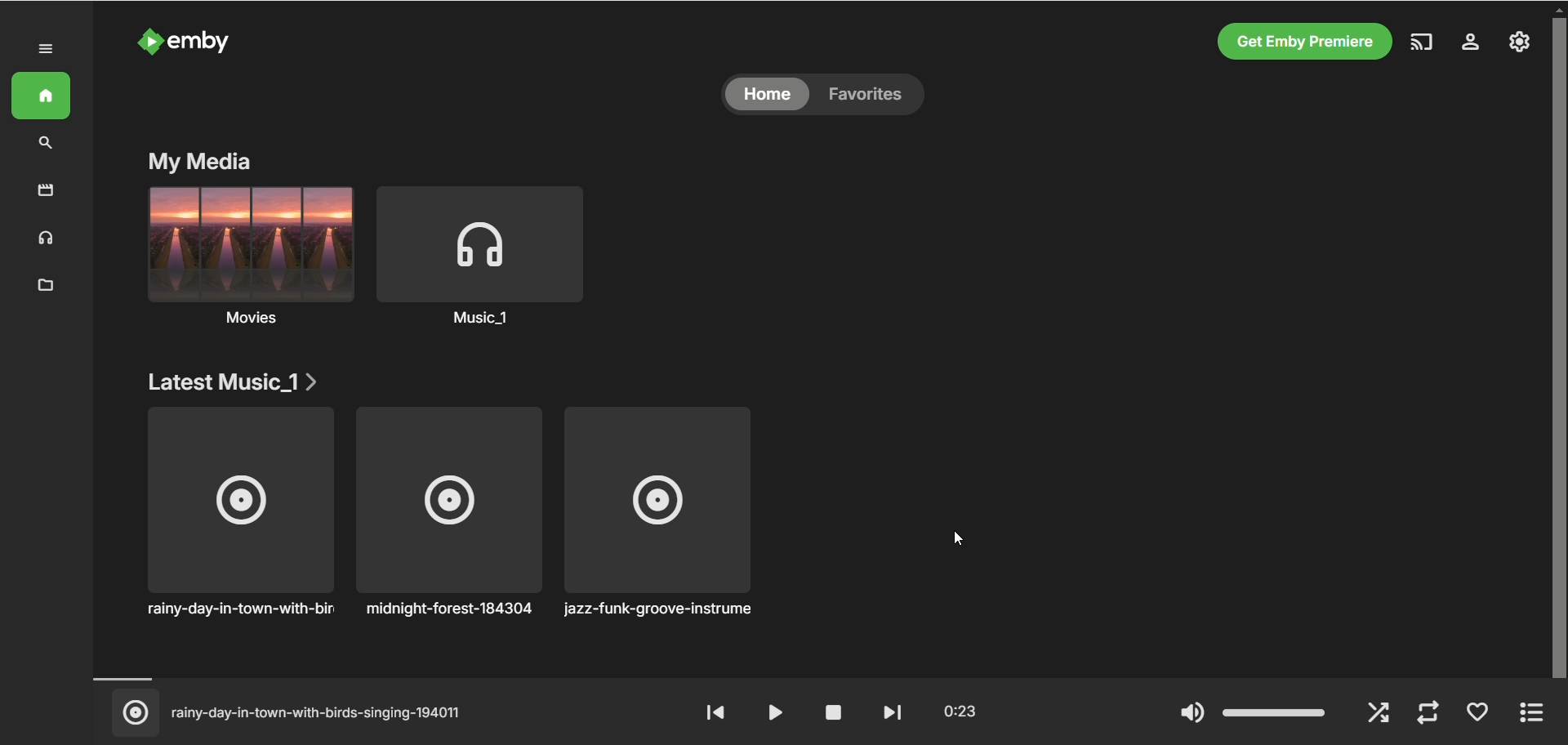 The height and width of the screenshot is (745, 1568). Describe the element at coordinates (1533, 712) in the screenshot. I see `expand` at that location.